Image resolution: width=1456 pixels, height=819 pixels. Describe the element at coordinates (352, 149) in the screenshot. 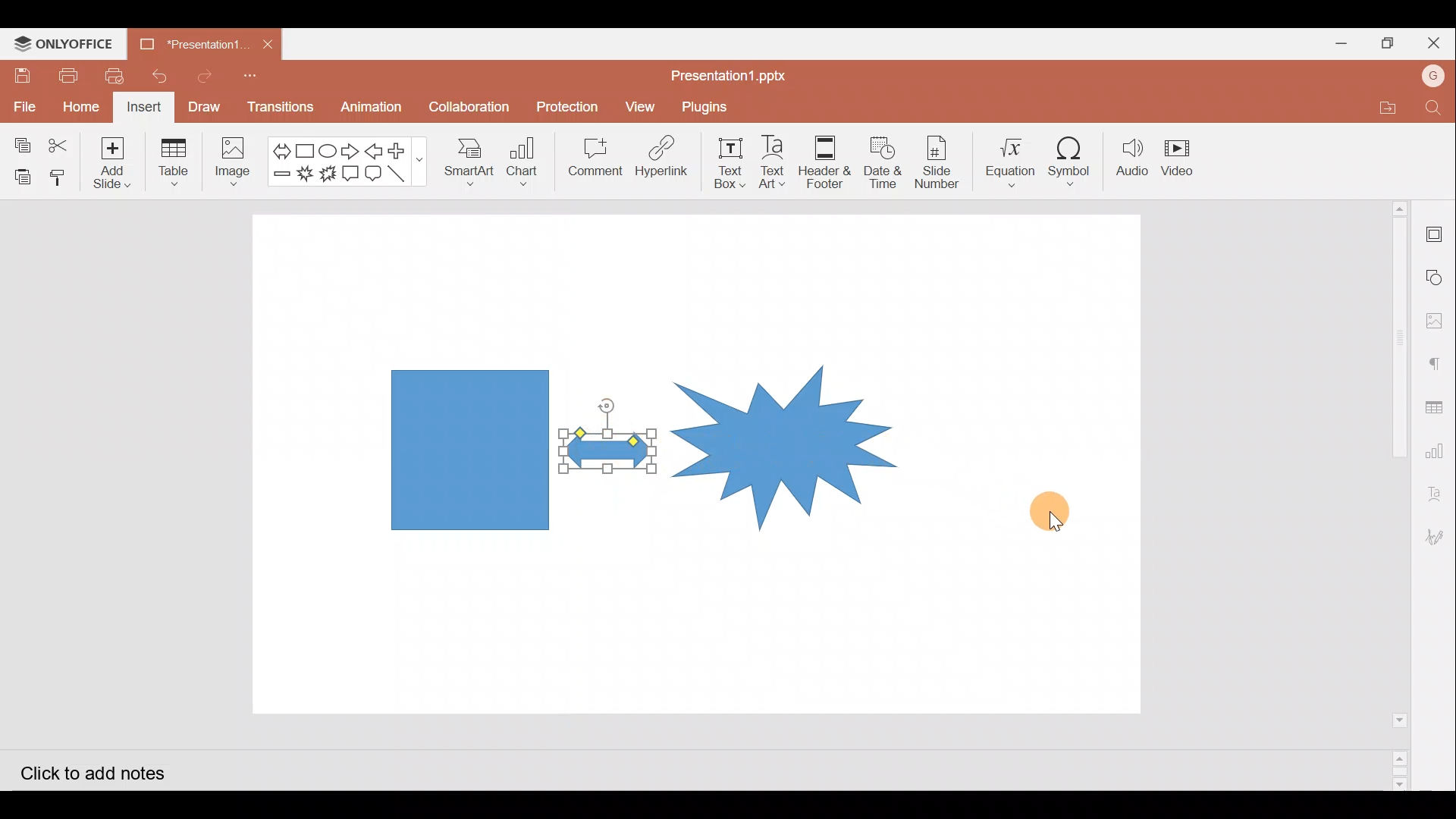

I see `Right arrow` at that location.